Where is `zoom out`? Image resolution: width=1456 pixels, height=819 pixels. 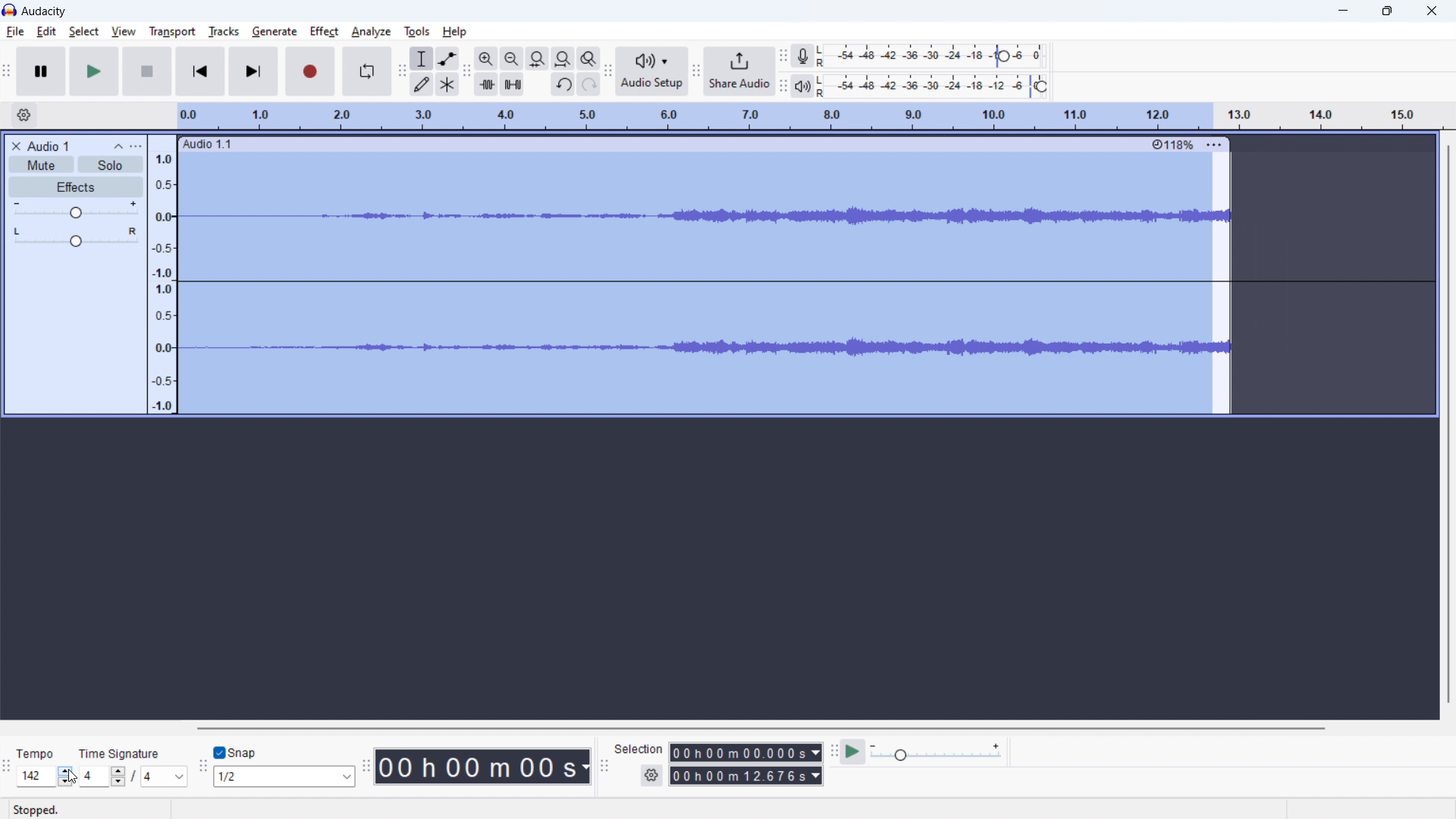
zoom out is located at coordinates (512, 59).